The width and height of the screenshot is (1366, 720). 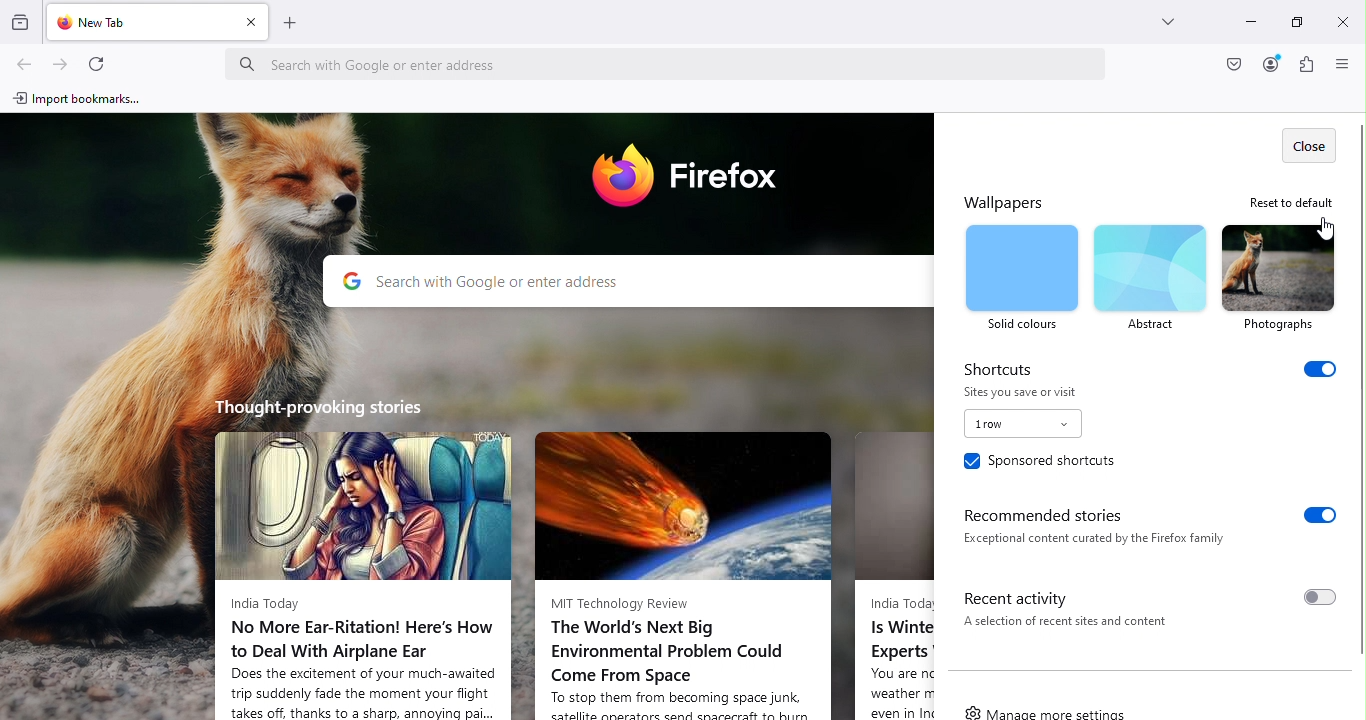 I want to click on Go back one page, so click(x=26, y=61).